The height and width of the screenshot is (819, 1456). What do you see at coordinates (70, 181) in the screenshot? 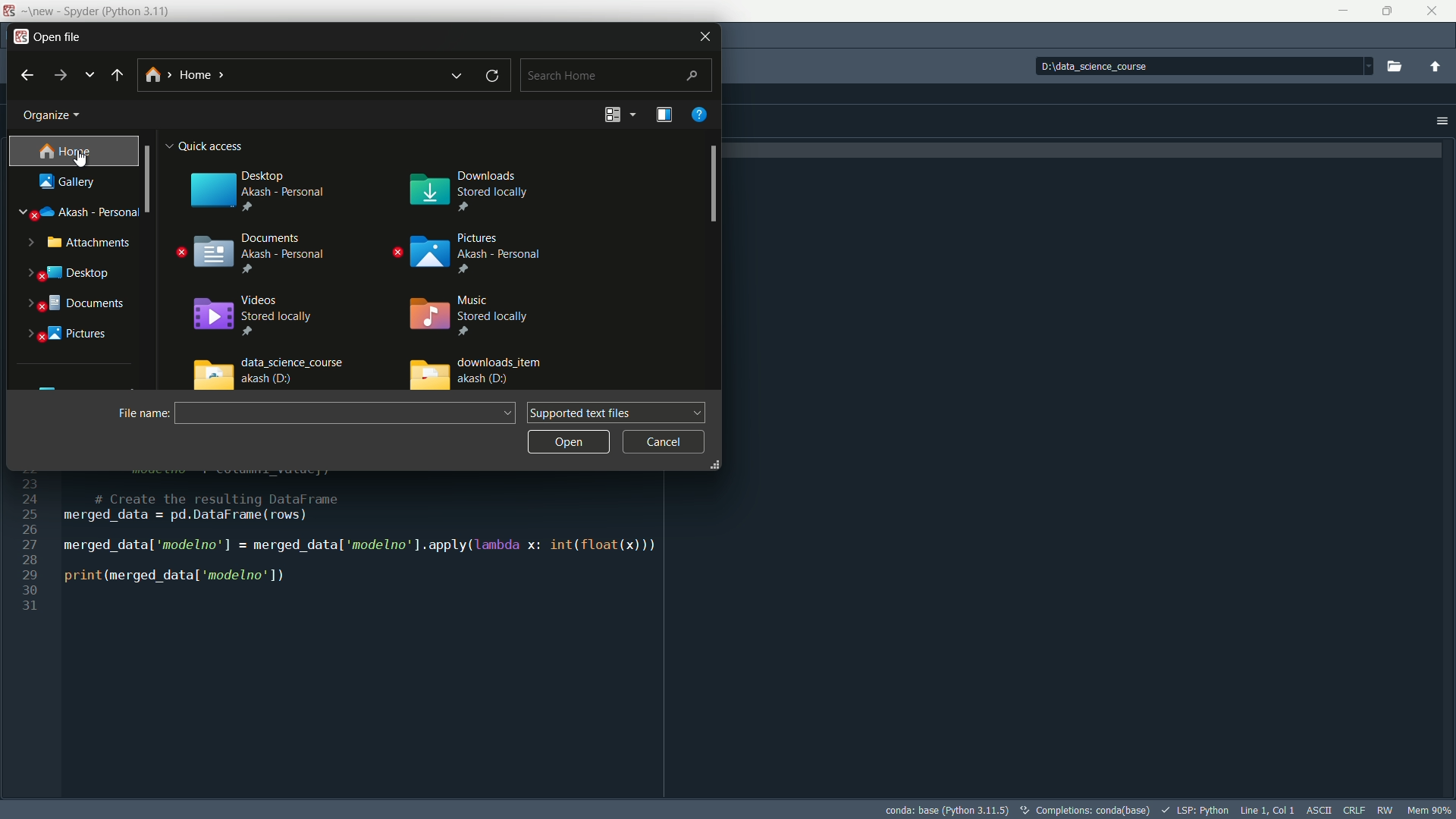
I see `gallery` at bounding box center [70, 181].